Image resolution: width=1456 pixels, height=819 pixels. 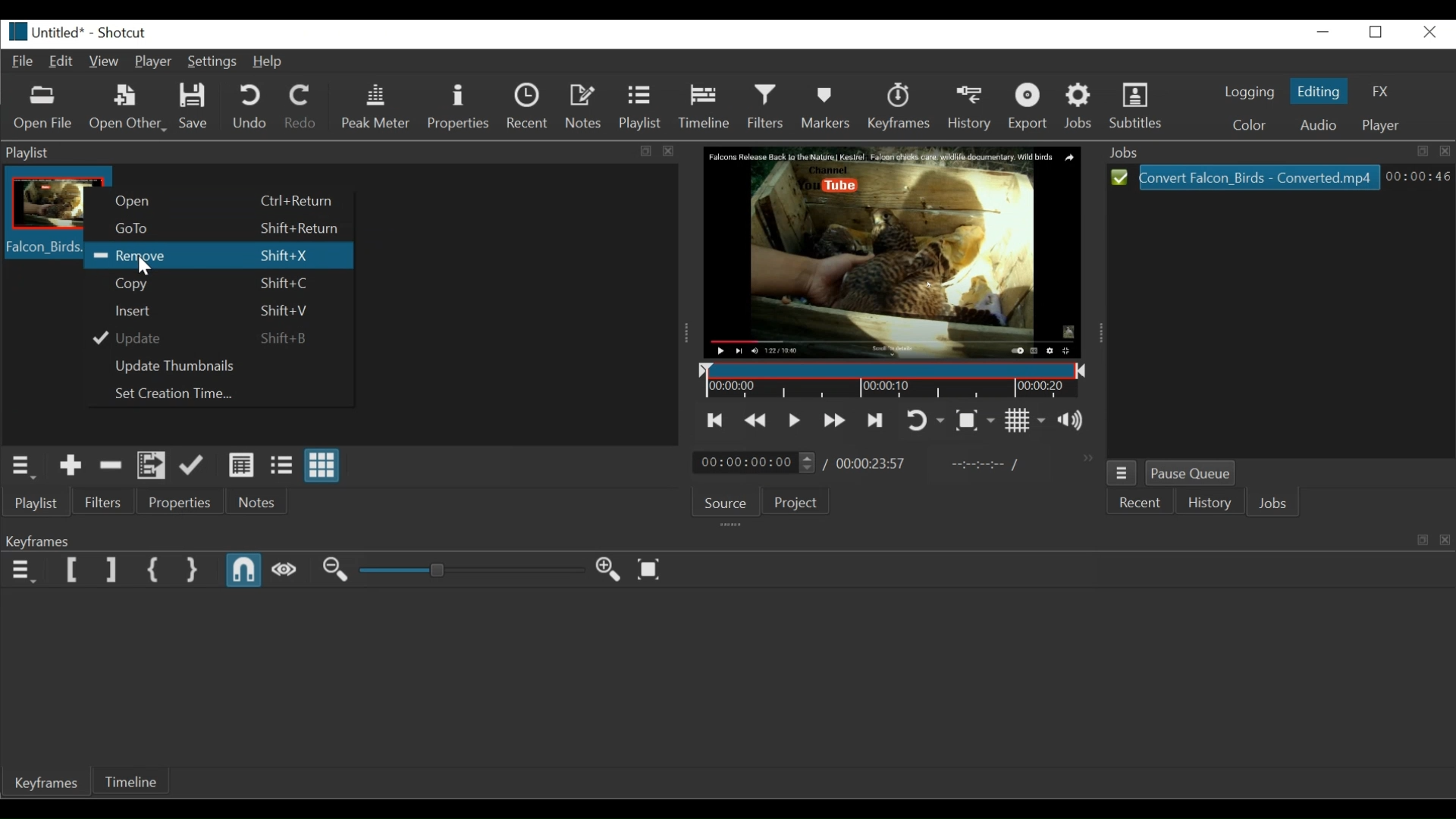 I want to click on Adjust Zoom keyframe, so click(x=470, y=570).